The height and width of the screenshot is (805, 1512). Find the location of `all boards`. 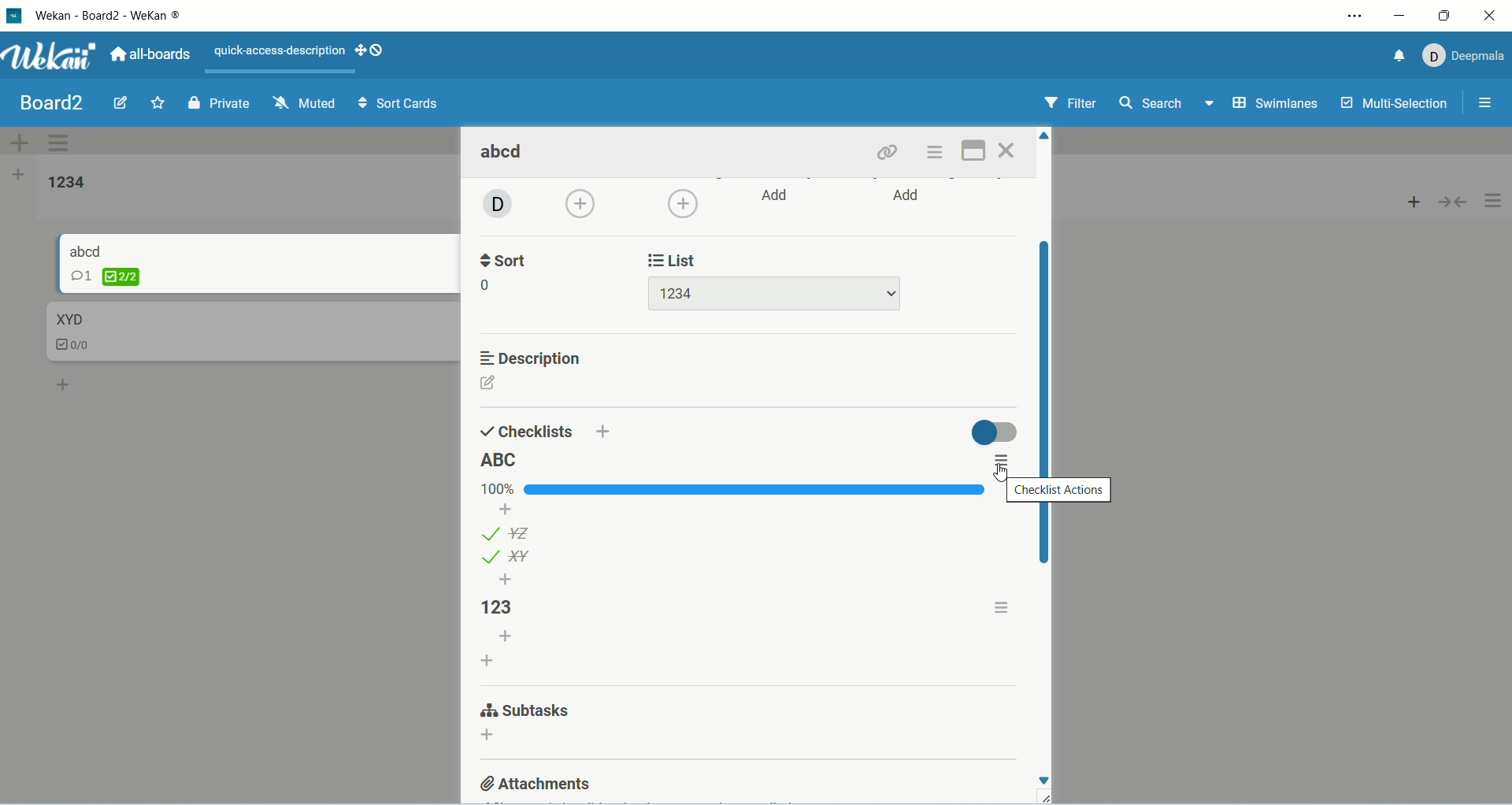

all boards is located at coordinates (154, 54).